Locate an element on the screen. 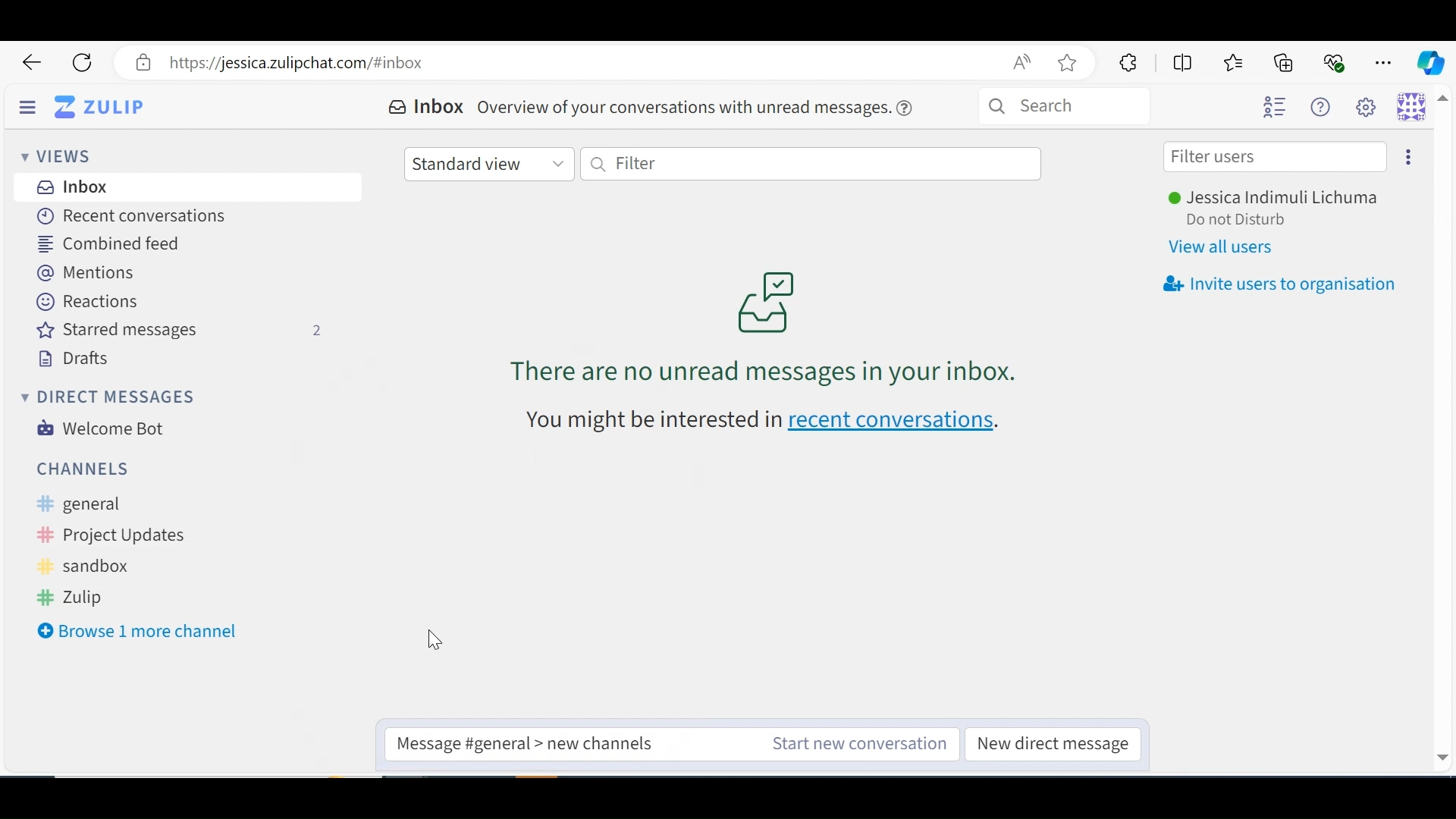 This screenshot has height=819, width=1456. More options is located at coordinates (1404, 155).